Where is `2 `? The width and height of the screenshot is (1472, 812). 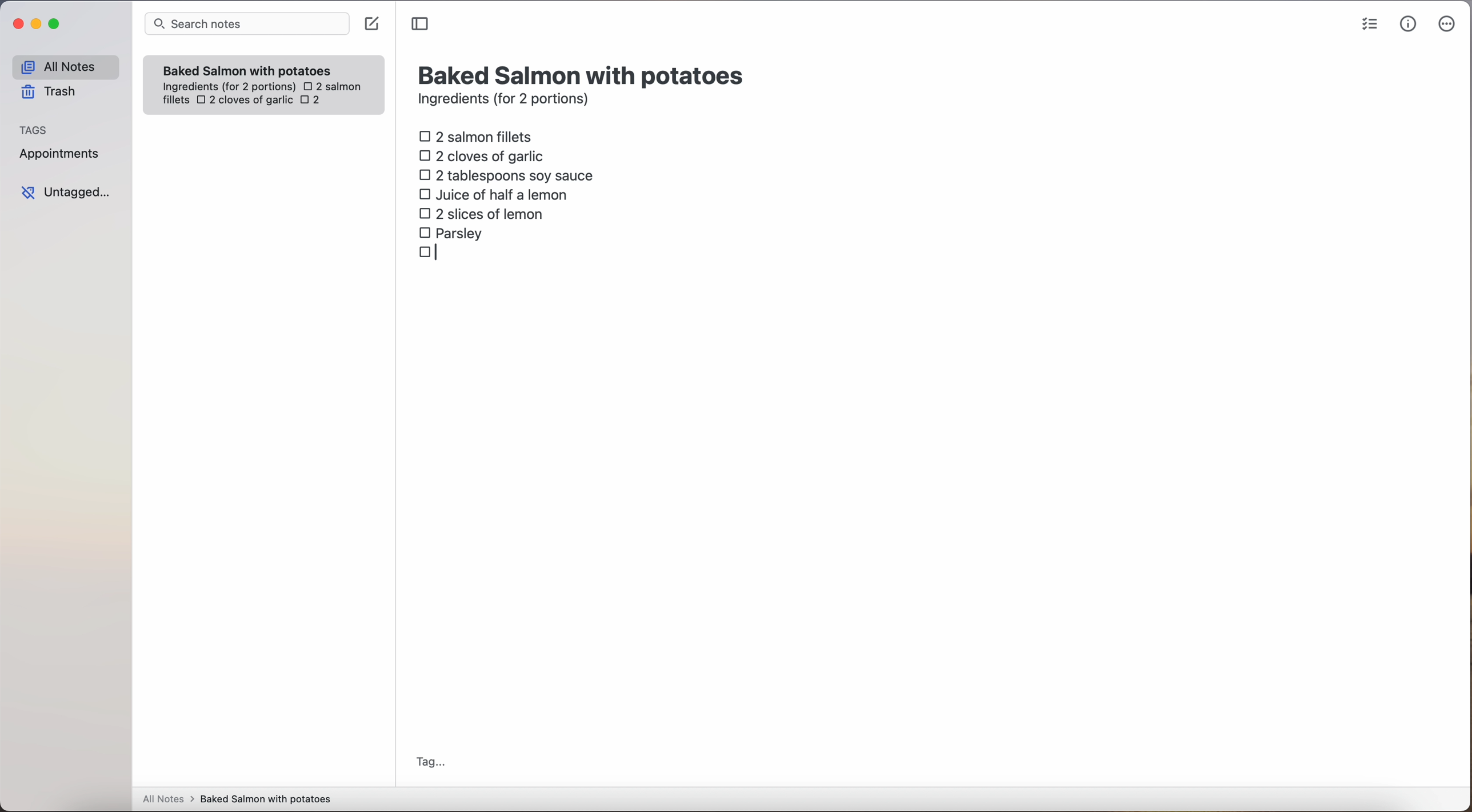 2  is located at coordinates (314, 101).